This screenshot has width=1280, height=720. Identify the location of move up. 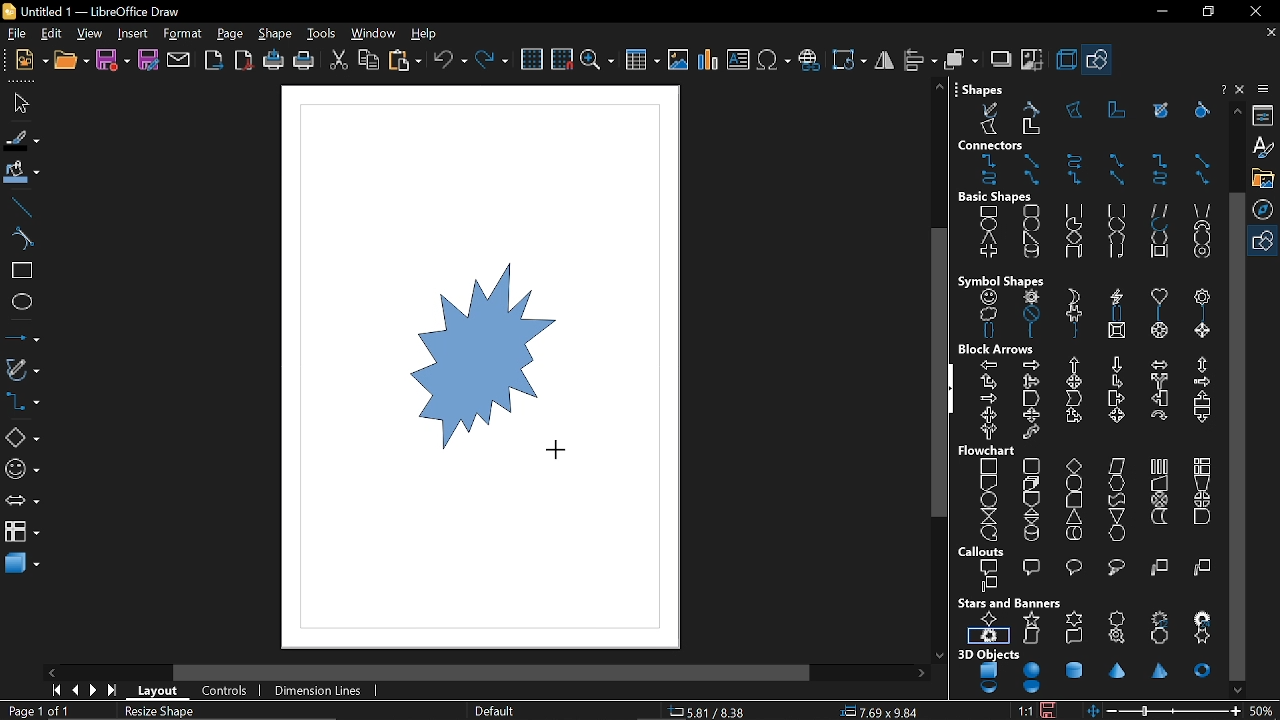
(1234, 111).